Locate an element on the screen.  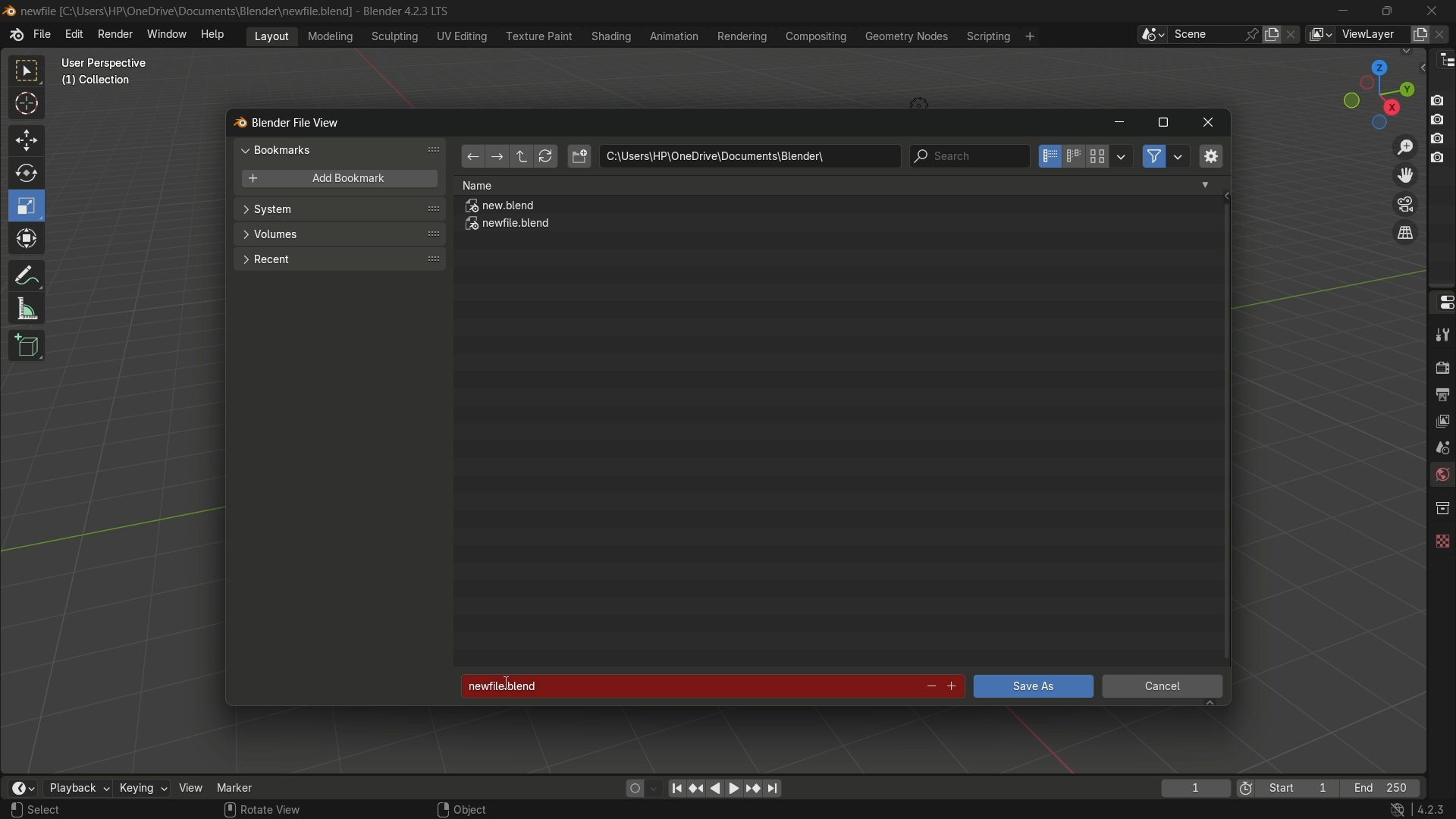
playback is located at coordinates (77, 788).